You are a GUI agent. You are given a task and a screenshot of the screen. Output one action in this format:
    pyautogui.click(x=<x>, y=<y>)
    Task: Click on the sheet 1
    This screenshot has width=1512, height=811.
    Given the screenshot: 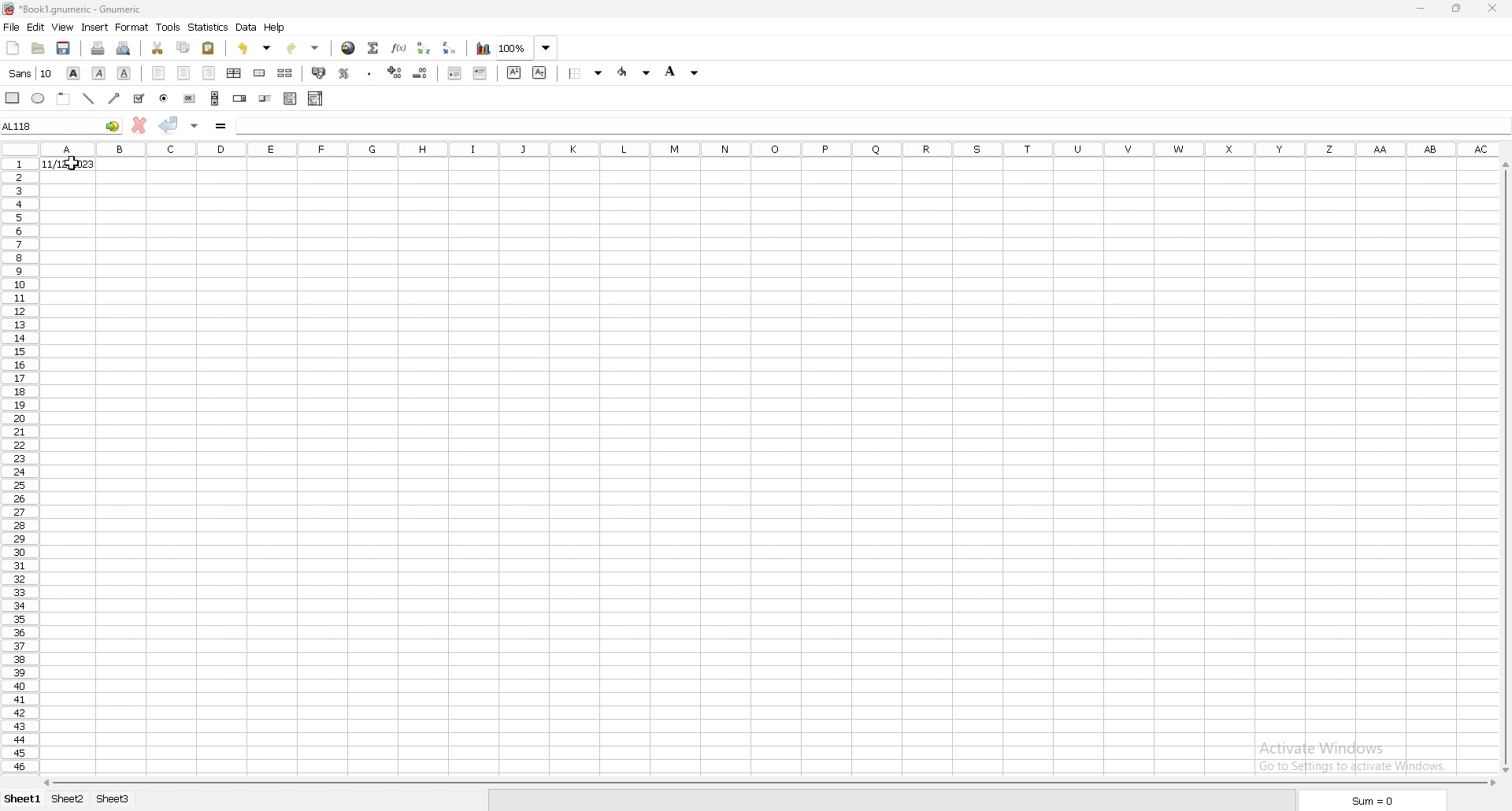 What is the action you would take?
    pyautogui.click(x=24, y=799)
    